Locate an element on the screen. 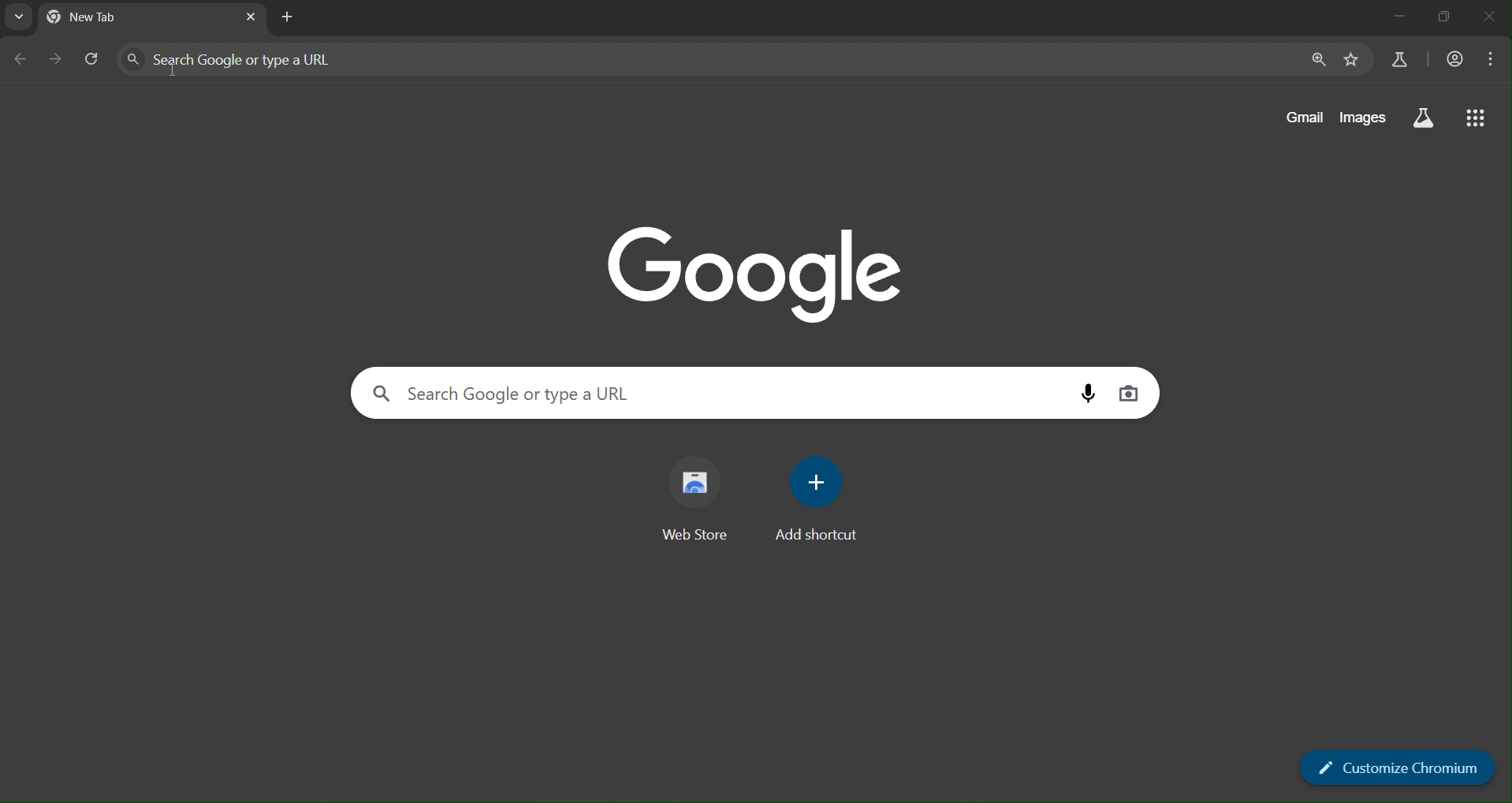  gmail is located at coordinates (1307, 117).